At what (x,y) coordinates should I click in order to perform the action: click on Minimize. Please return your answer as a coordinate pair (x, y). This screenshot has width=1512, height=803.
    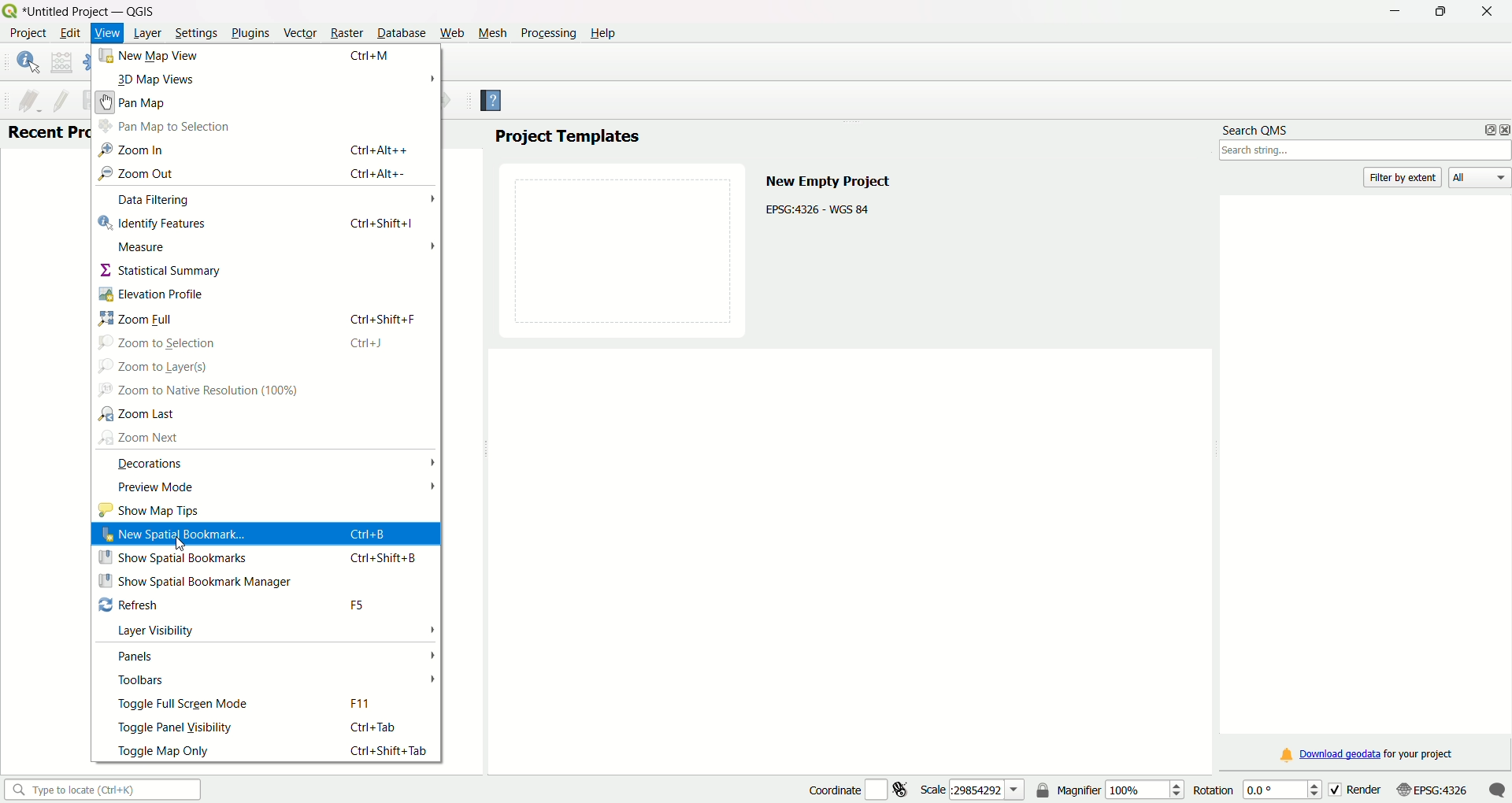
    Looking at the image, I should click on (1393, 13).